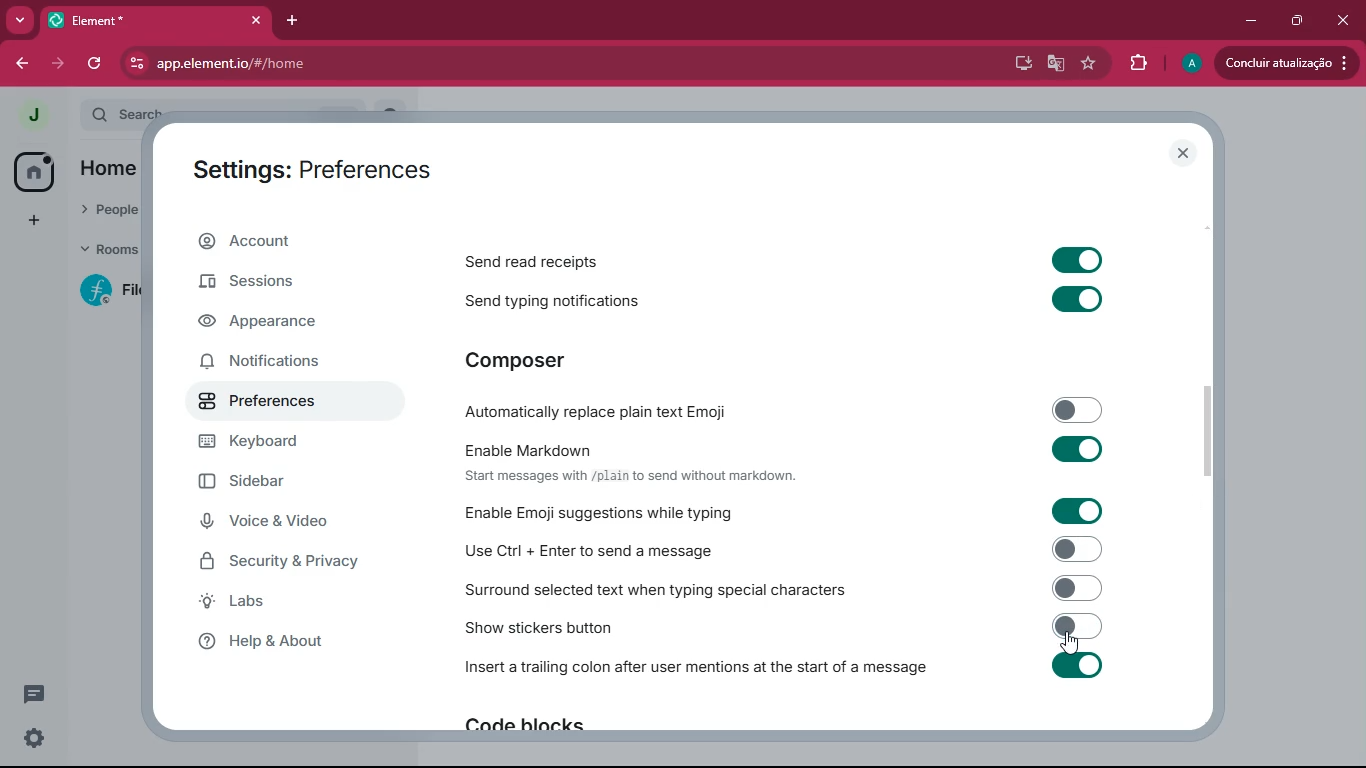  Describe the element at coordinates (279, 483) in the screenshot. I see `sidebar` at that location.